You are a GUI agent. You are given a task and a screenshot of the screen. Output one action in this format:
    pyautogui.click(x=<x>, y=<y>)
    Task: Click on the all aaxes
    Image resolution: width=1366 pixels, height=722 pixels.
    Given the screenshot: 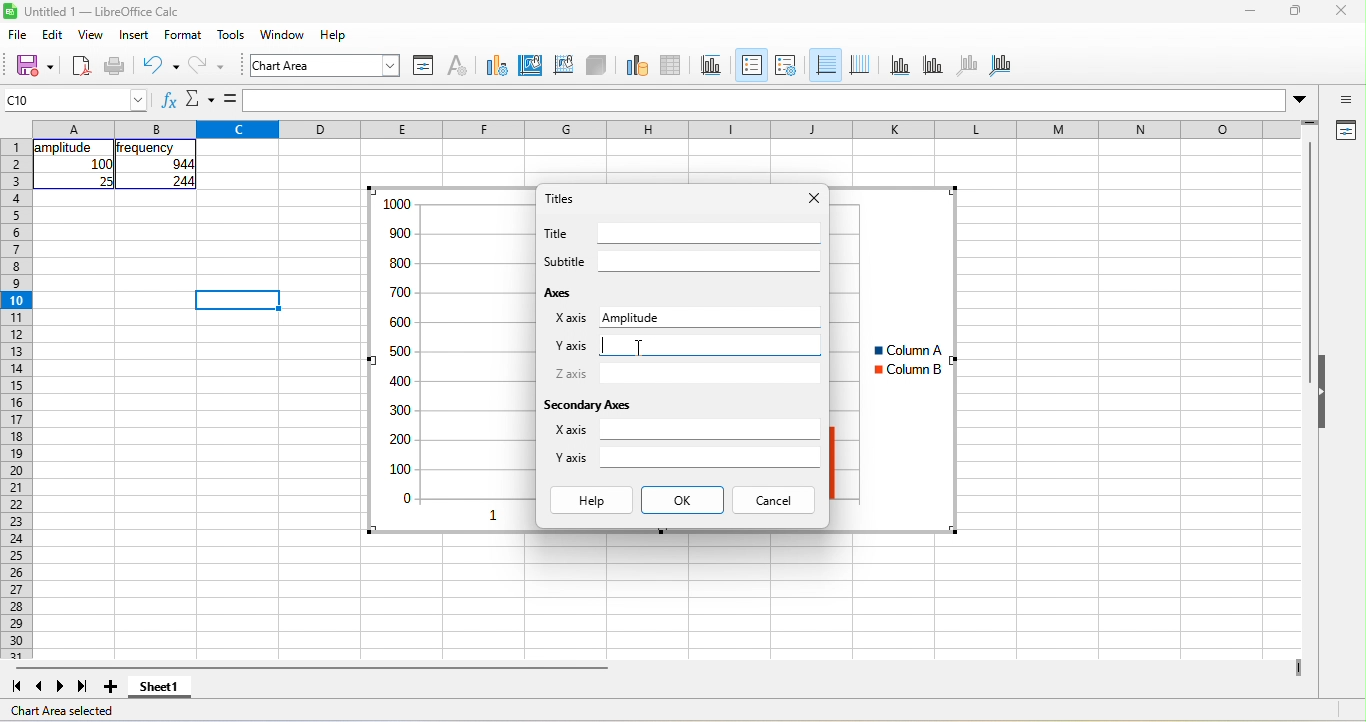 What is the action you would take?
    pyautogui.click(x=1000, y=66)
    